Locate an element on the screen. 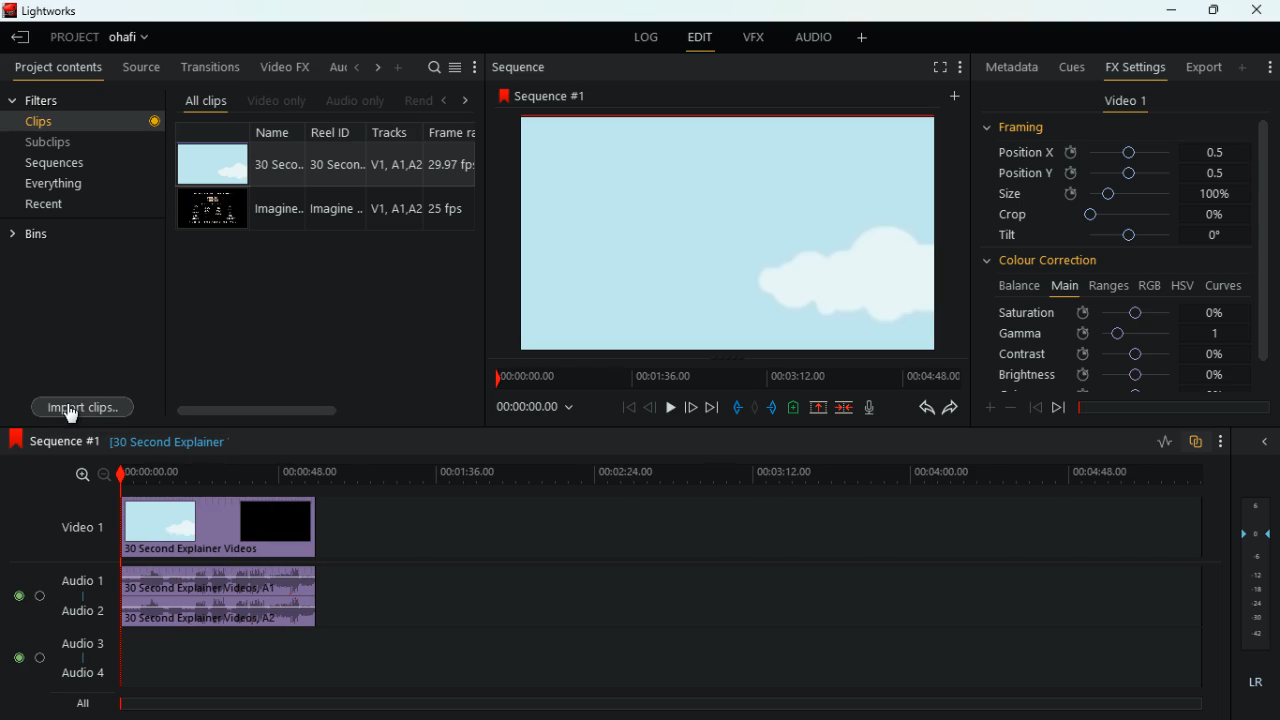  play is located at coordinates (671, 407).